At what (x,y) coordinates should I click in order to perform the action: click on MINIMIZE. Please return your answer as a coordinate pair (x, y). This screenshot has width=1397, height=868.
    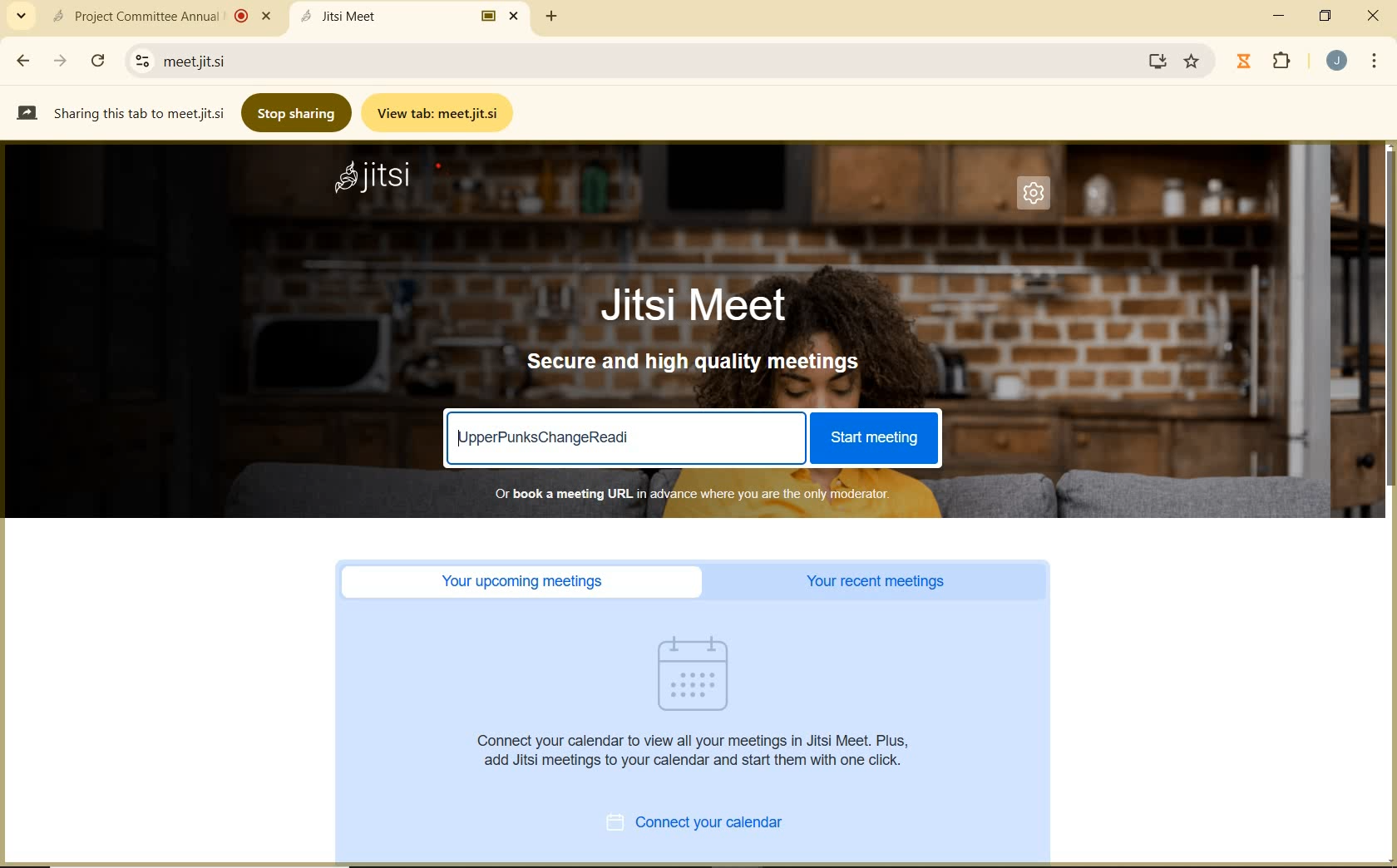
    Looking at the image, I should click on (1281, 16).